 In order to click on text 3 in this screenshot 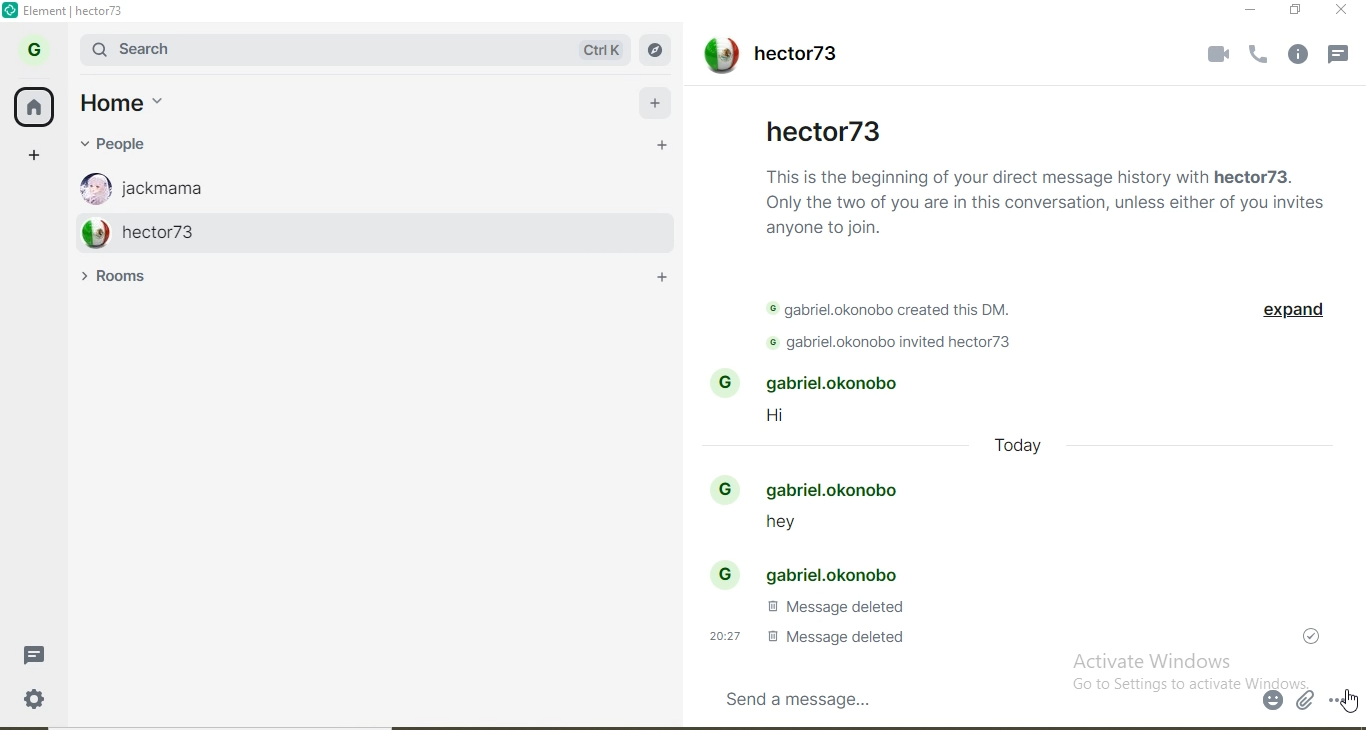, I will do `click(901, 344)`.